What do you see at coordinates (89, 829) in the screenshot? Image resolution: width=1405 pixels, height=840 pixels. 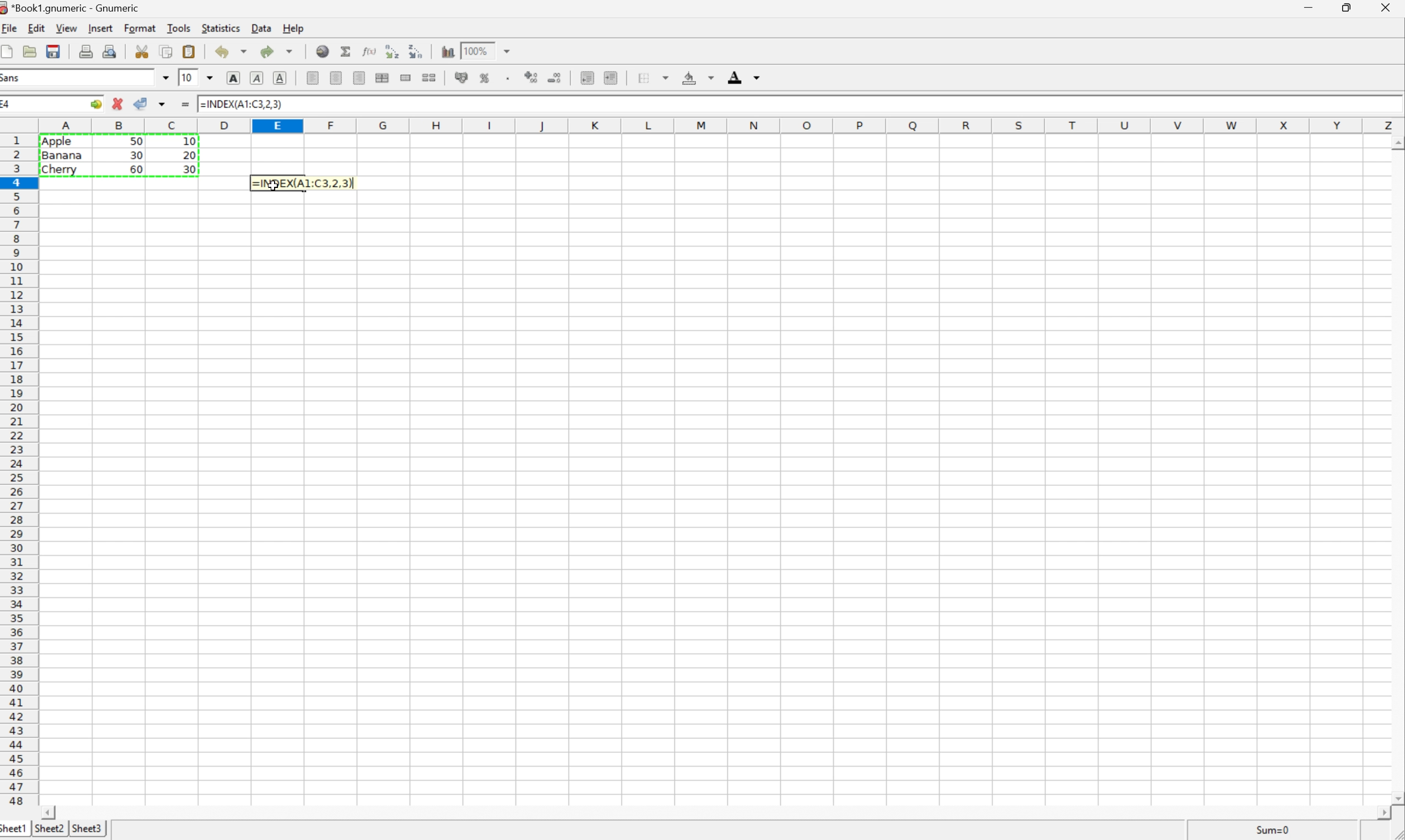 I see `sheet3` at bounding box center [89, 829].